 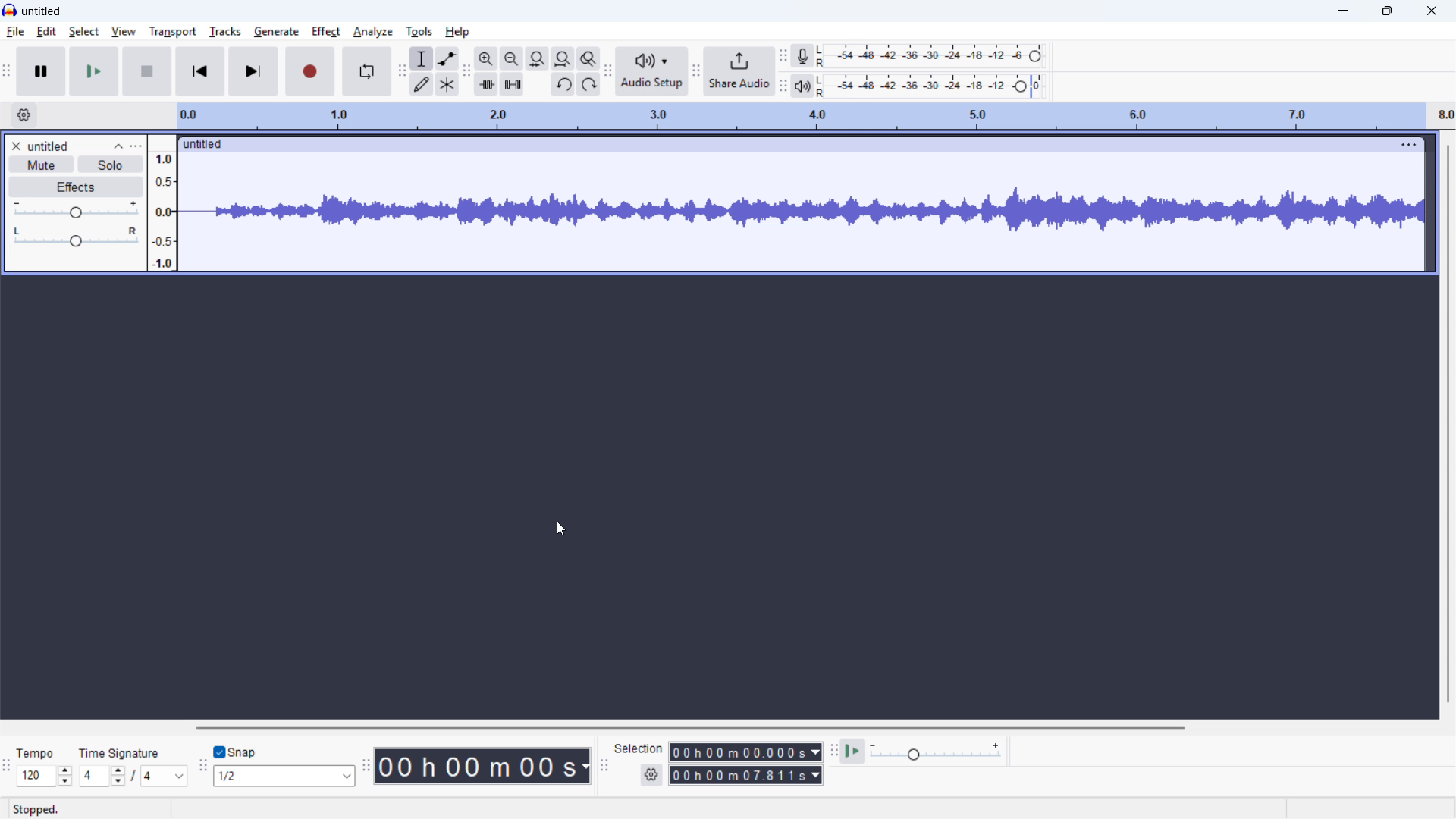 What do you see at coordinates (929, 86) in the screenshot?
I see `Playback level ` at bounding box center [929, 86].